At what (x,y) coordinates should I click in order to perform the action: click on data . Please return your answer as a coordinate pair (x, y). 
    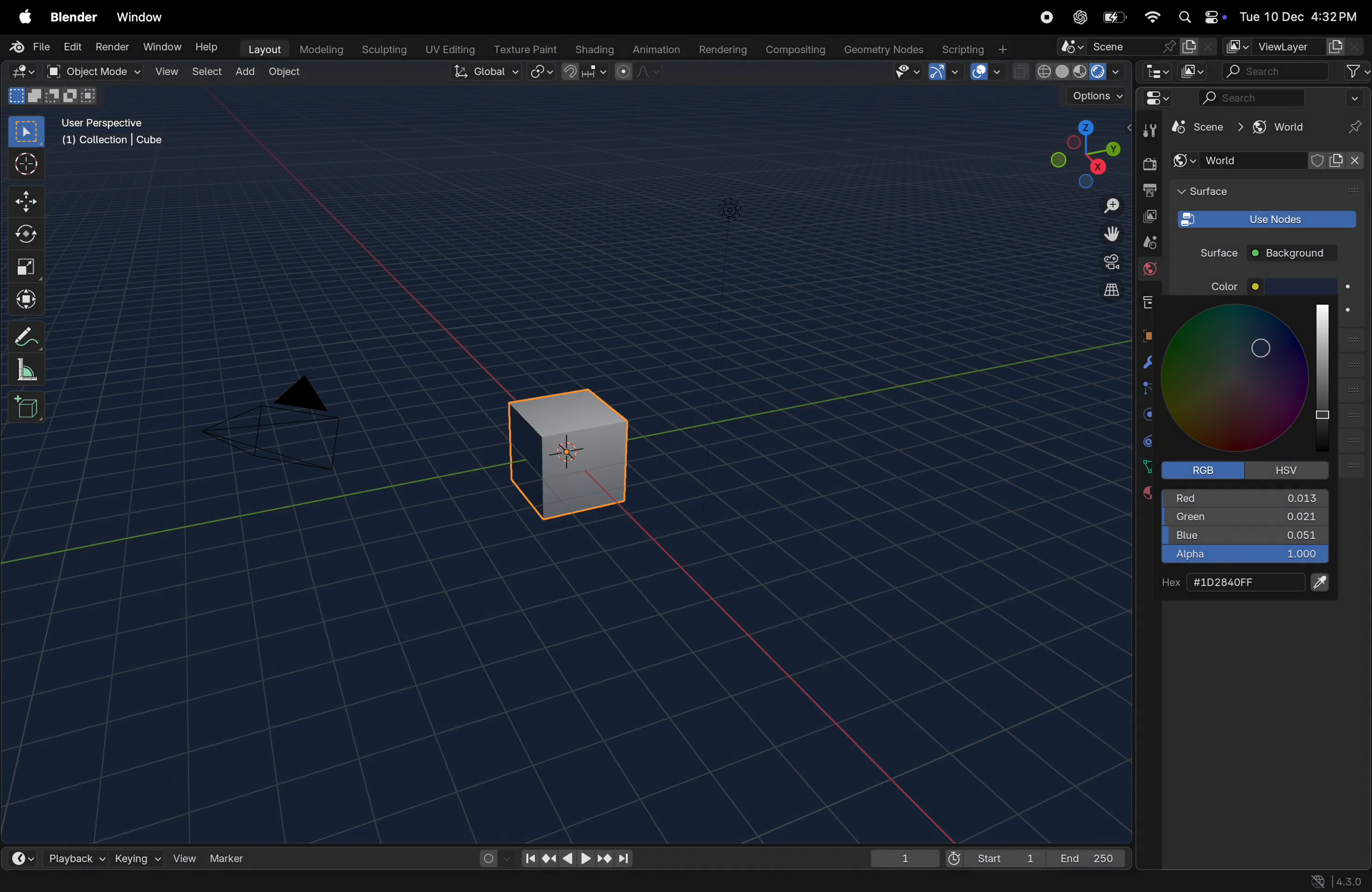
    Looking at the image, I should click on (1147, 466).